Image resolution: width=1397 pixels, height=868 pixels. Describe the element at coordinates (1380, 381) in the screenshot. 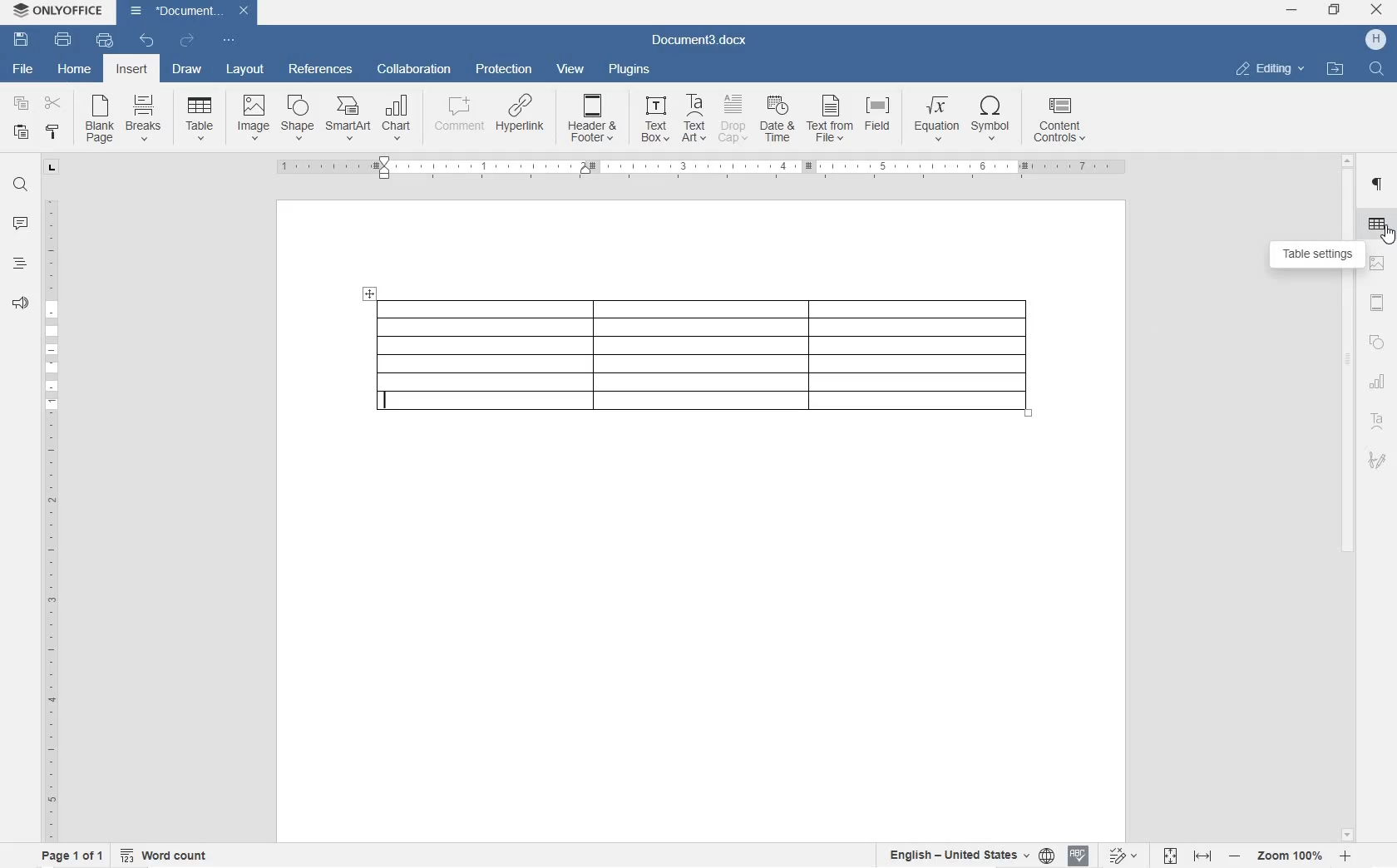

I see `CHART` at that location.